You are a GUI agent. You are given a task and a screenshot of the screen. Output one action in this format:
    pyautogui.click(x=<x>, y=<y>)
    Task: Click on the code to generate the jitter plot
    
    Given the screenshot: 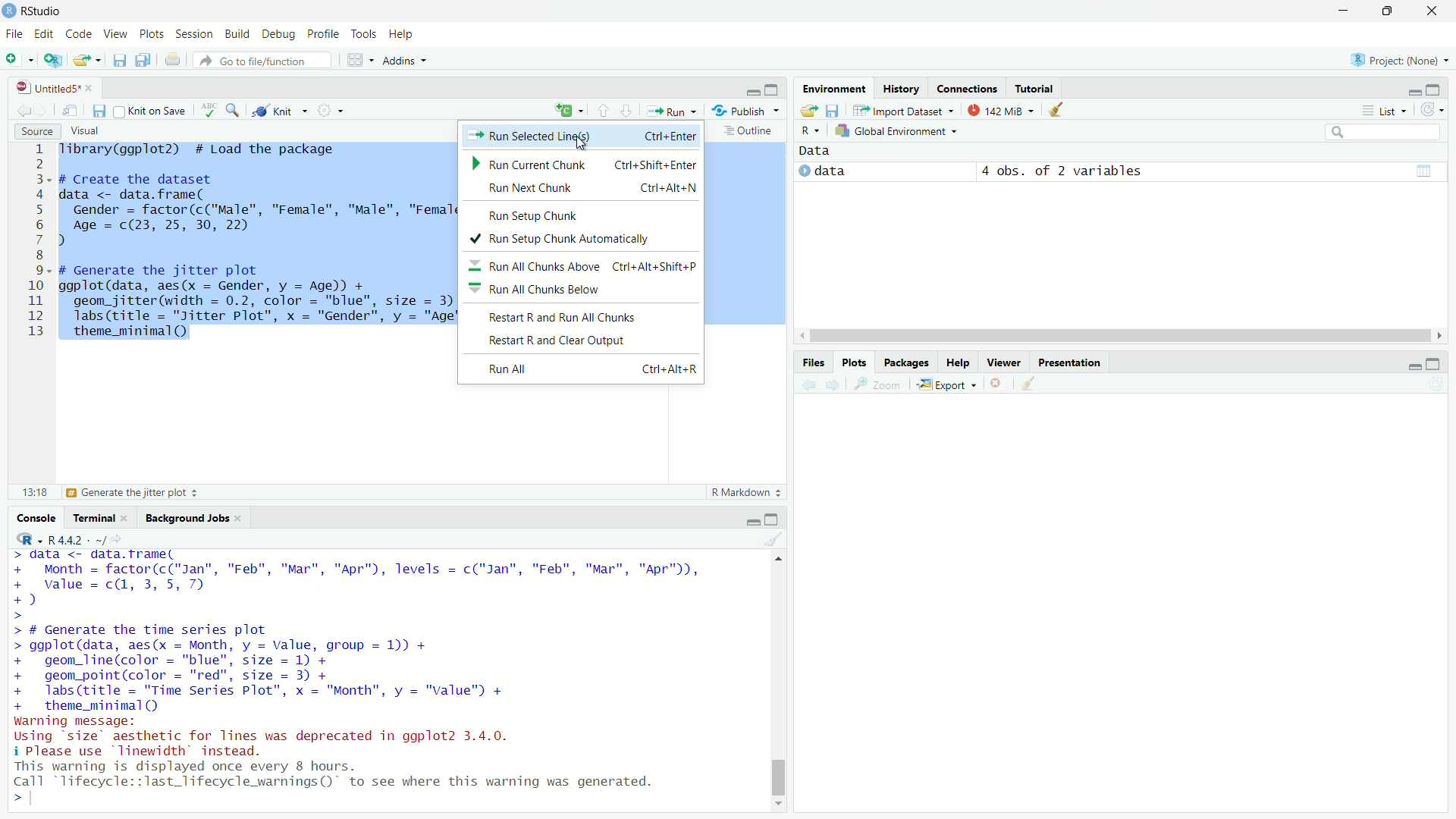 What is the action you would take?
    pyautogui.click(x=252, y=301)
    